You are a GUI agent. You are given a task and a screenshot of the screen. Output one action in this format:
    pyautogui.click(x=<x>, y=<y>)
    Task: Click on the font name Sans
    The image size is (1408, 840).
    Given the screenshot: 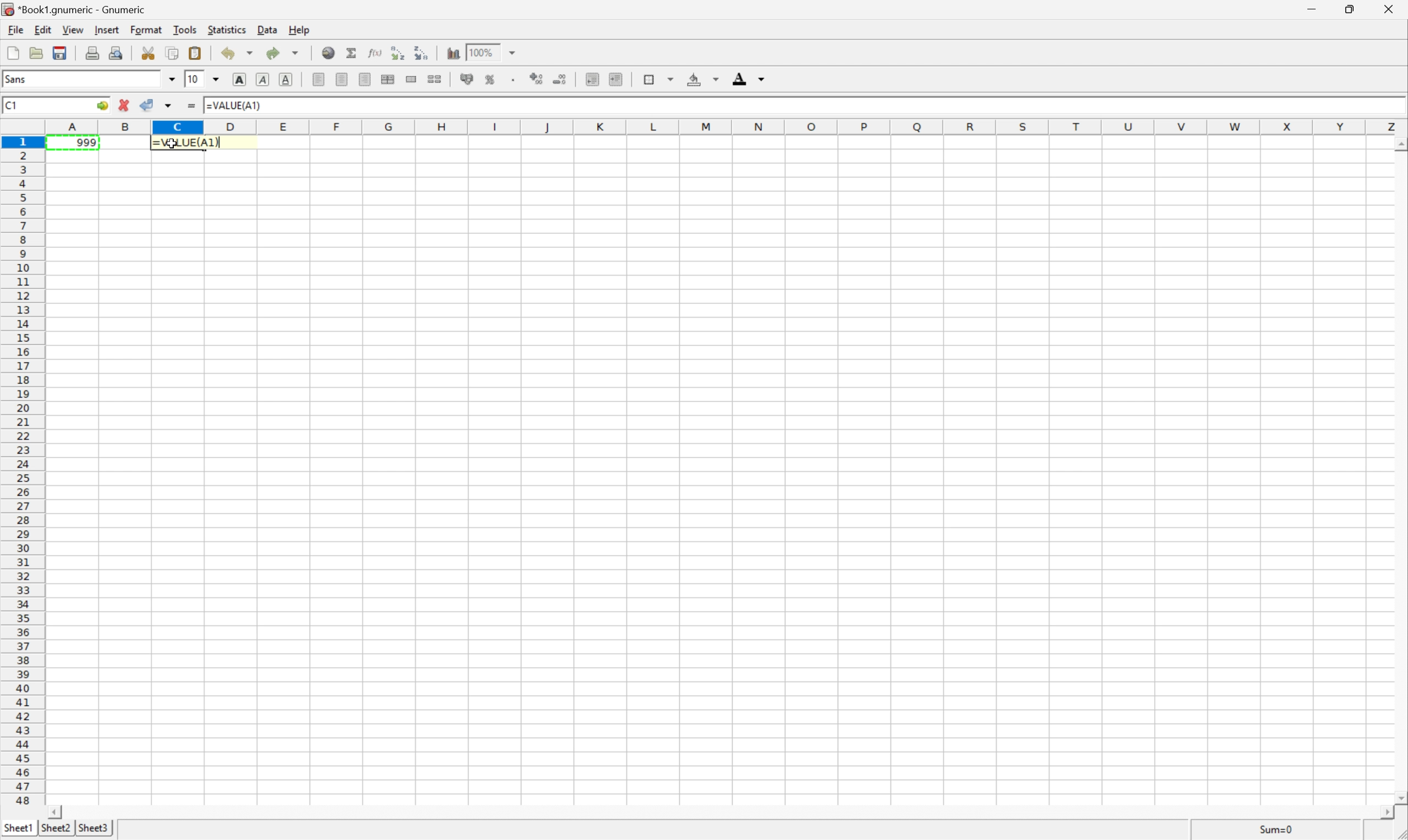 What is the action you would take?
    pyautogui.click(x=92, y=80)
    